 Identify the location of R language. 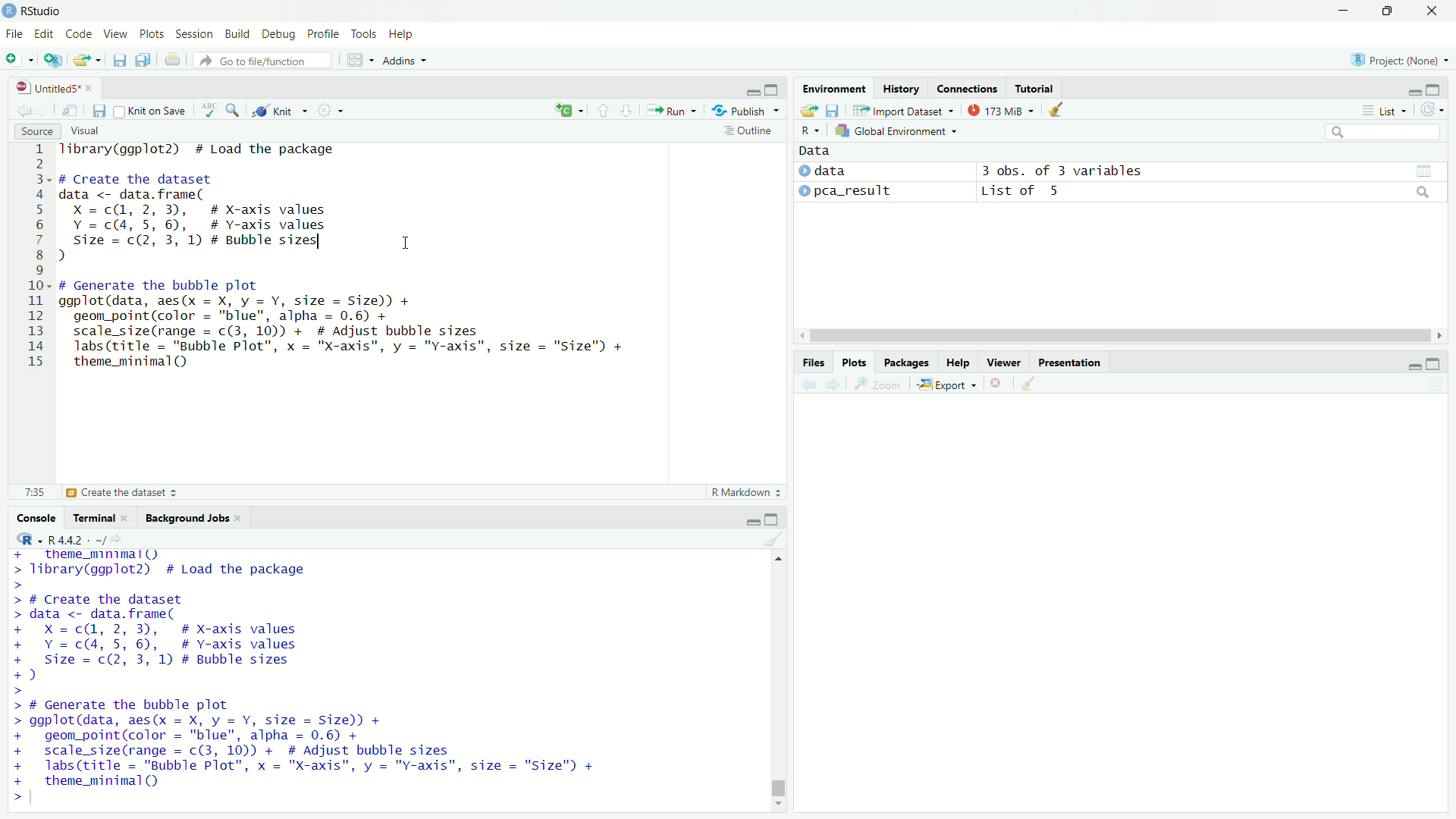
(810, 130).